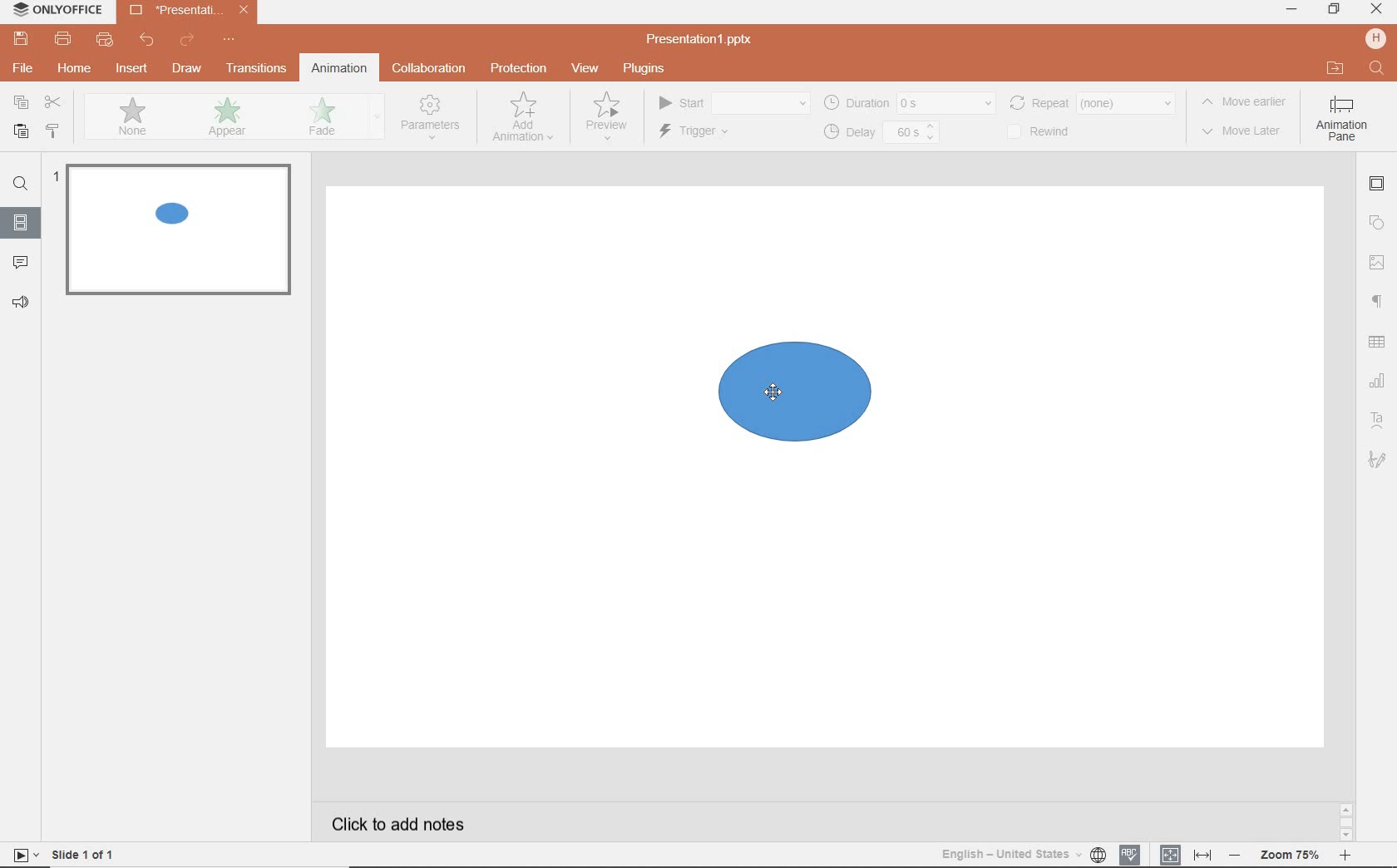  Describe the element at coordinates (21, 224) in the screenshot. I see `slide` at that location.